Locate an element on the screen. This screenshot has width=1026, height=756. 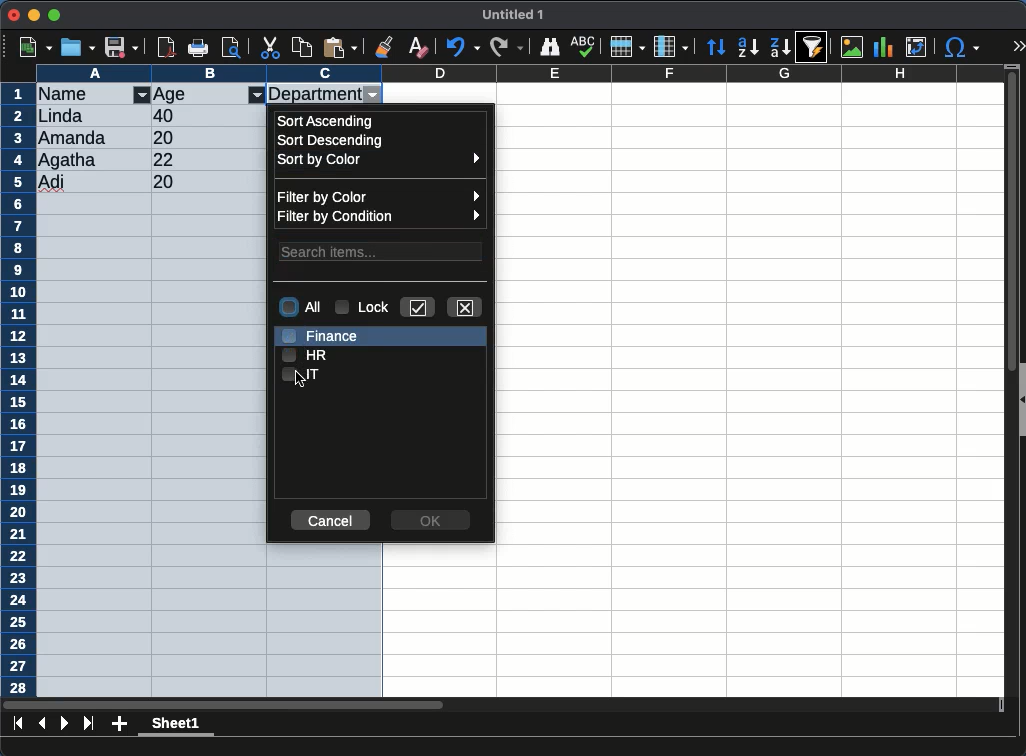
check is located at coordinates (419, 307).